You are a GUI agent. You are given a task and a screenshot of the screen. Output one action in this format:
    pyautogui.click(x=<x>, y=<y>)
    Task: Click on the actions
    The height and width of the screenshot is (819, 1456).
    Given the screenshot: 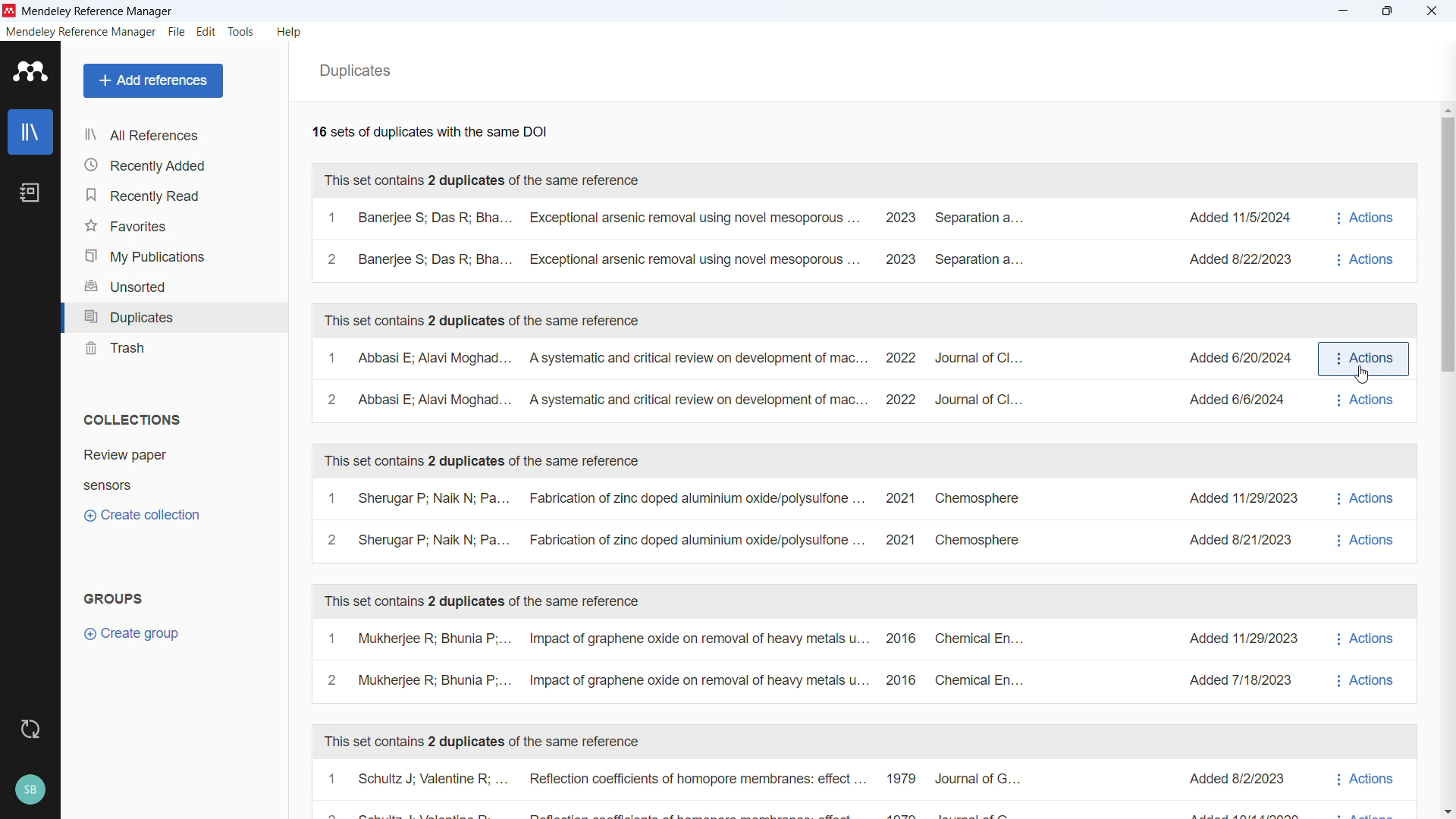 What is the action you would take?
    pyautogui.click(x=1367, y=661)
    